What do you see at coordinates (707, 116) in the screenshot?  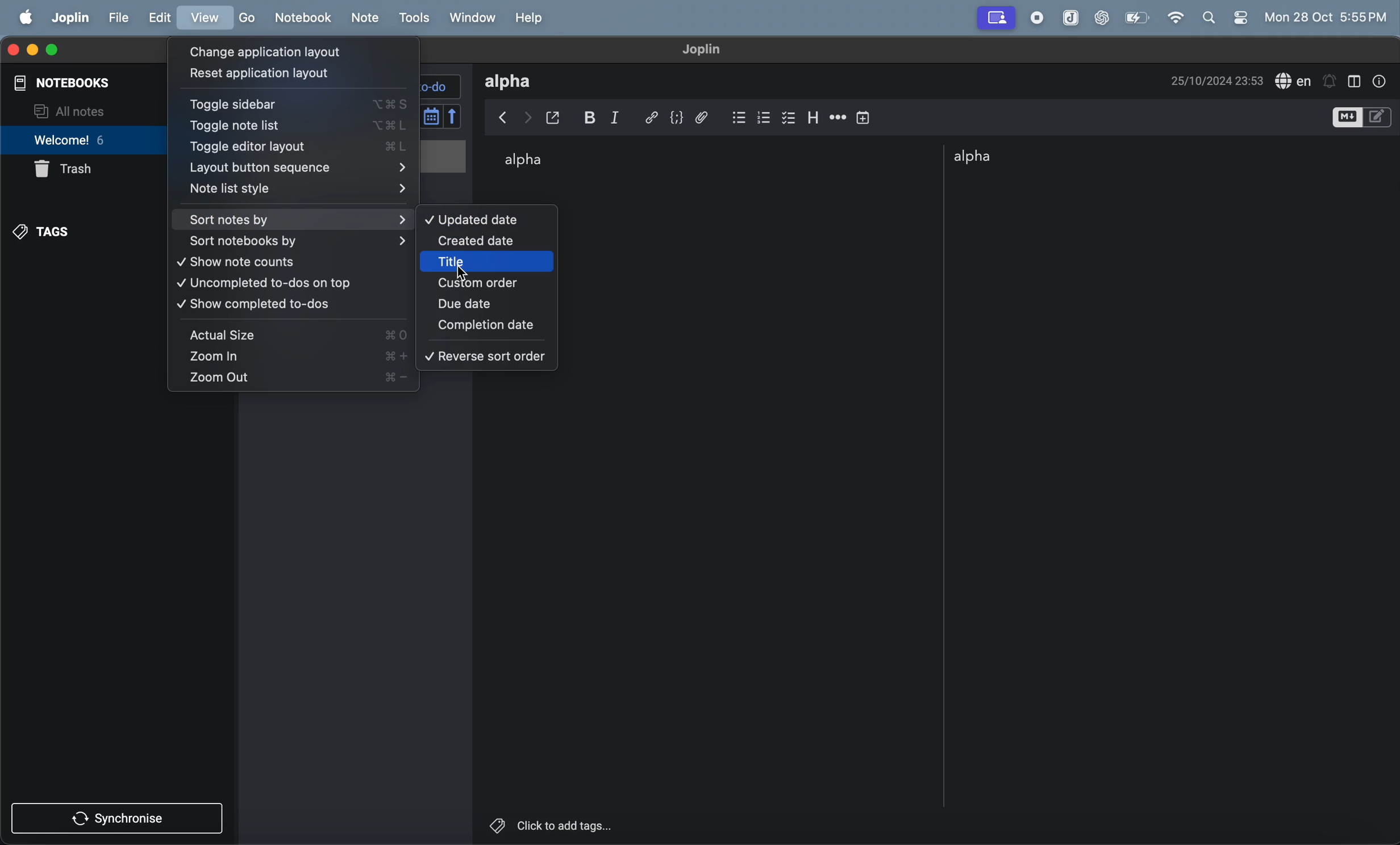 I see `attach file` at bounding box center [707, 116].